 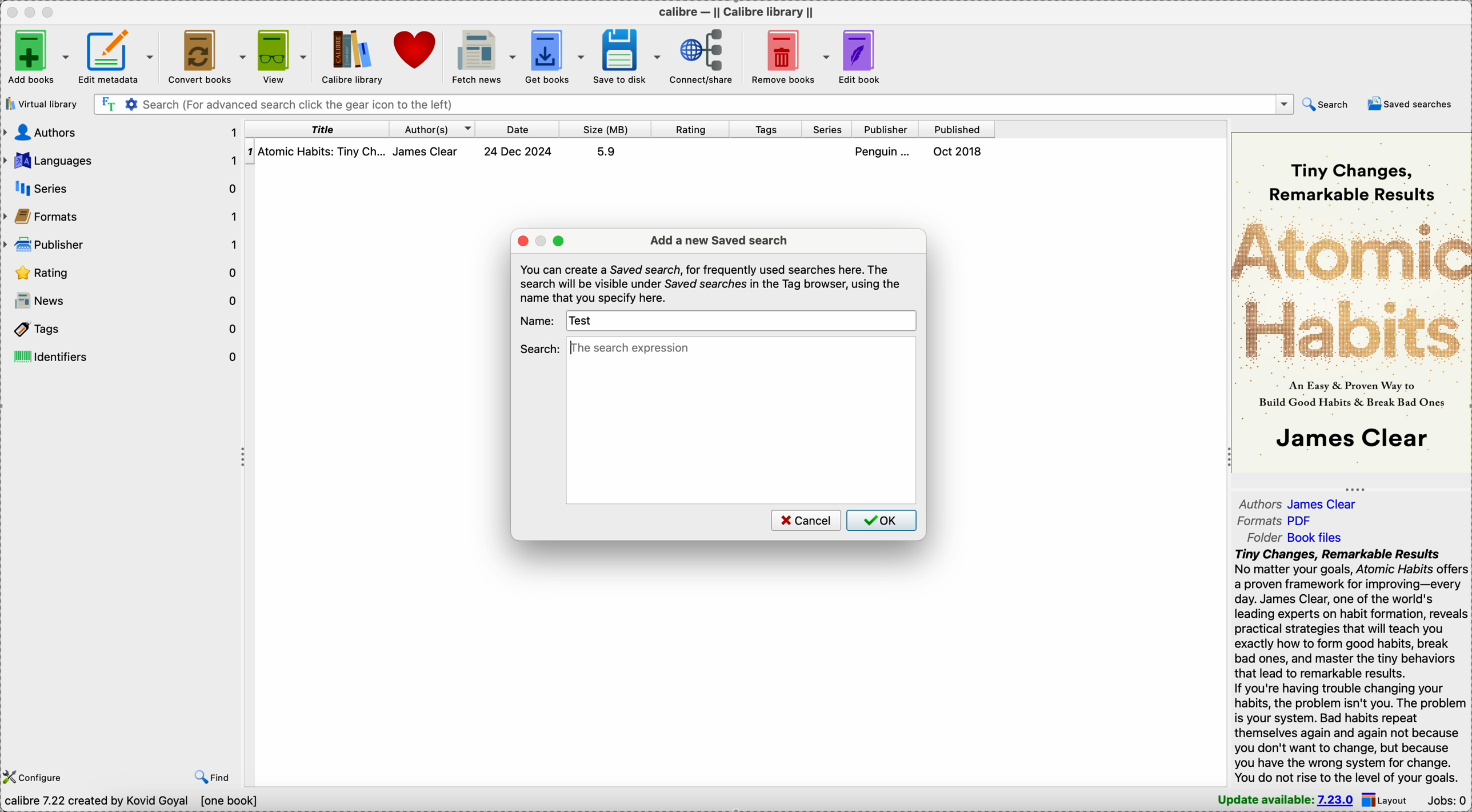 What do you see at coordinates (559, 241) in the screenshot?
I see `maximize` at bounding box center [559, 241].